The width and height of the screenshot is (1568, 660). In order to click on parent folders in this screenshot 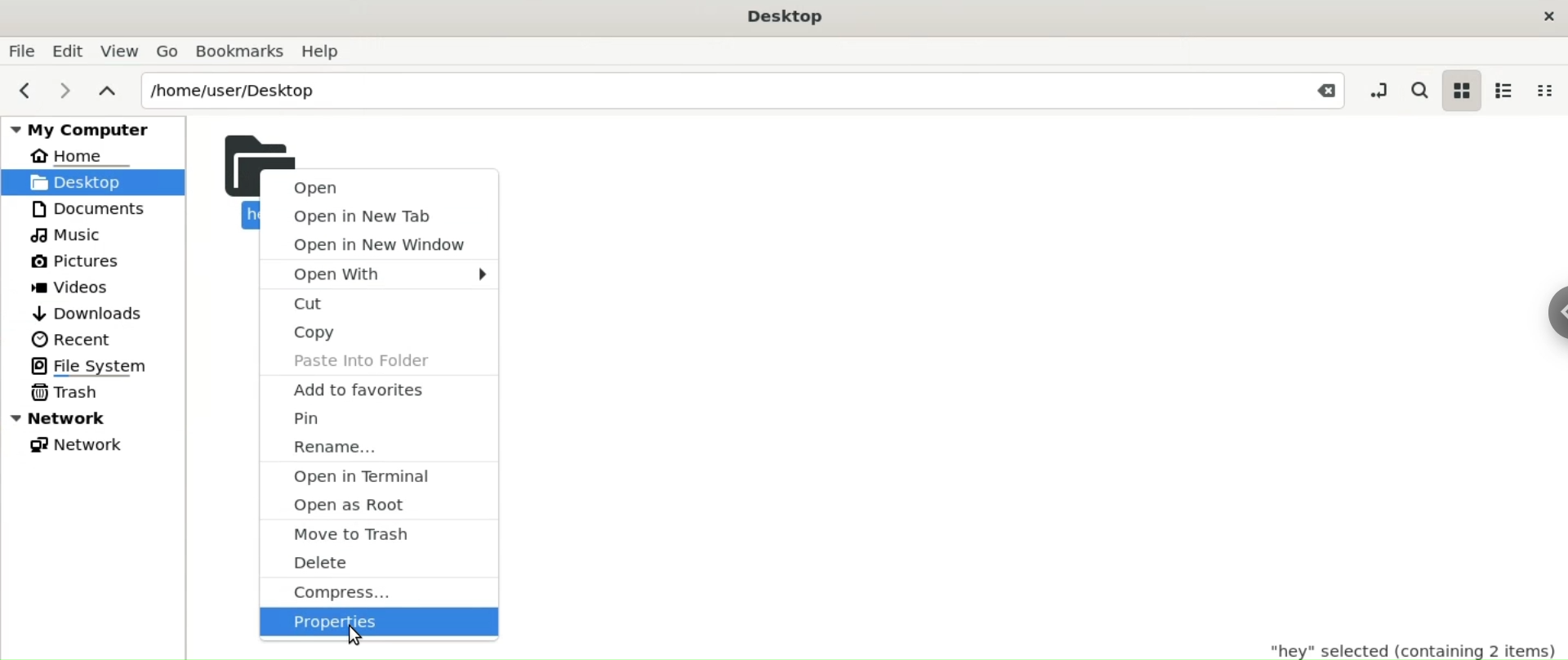, I will do `click(109, 90)`.